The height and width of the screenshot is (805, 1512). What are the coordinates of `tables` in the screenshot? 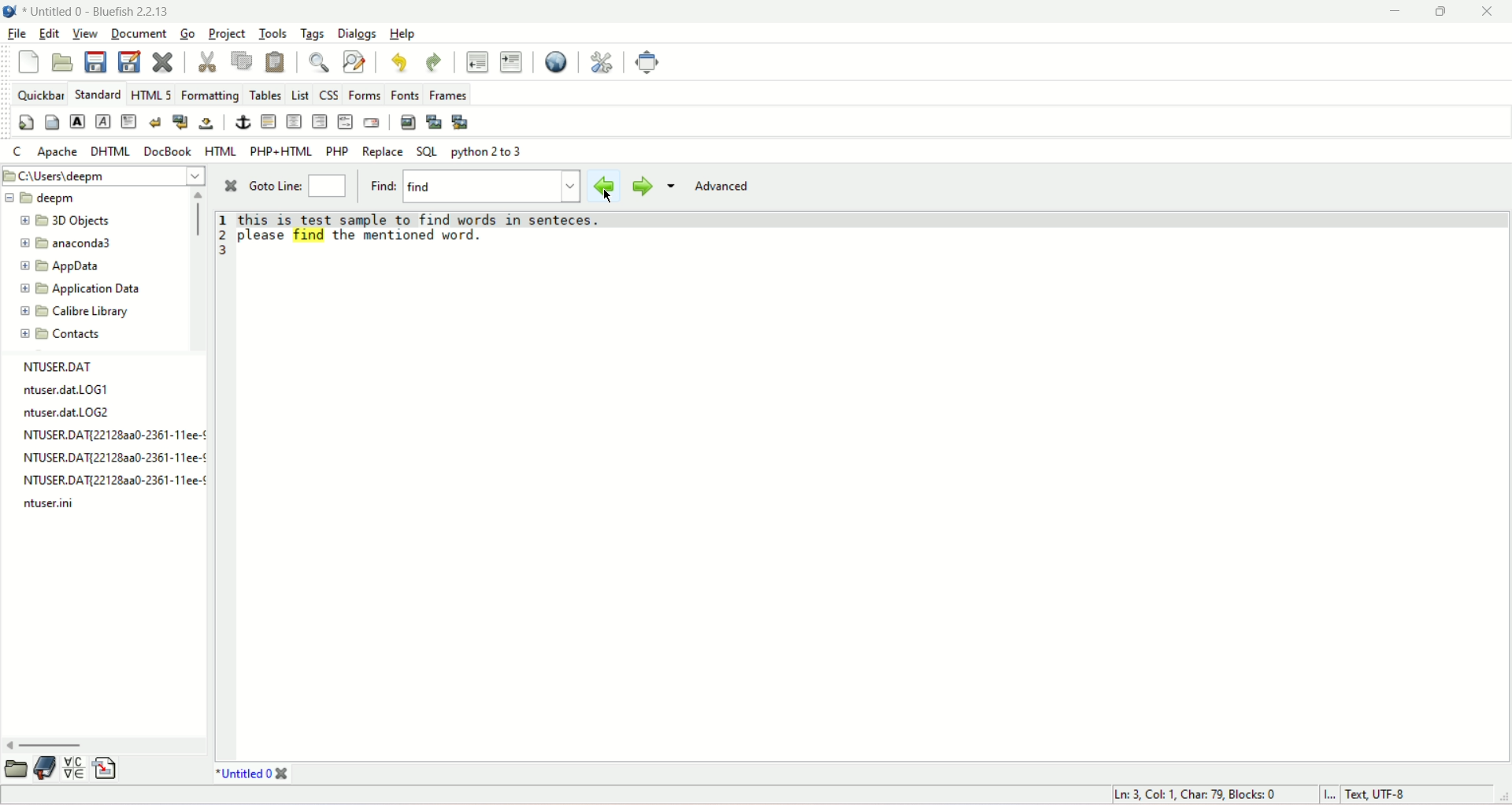 It's located at (266, 93).